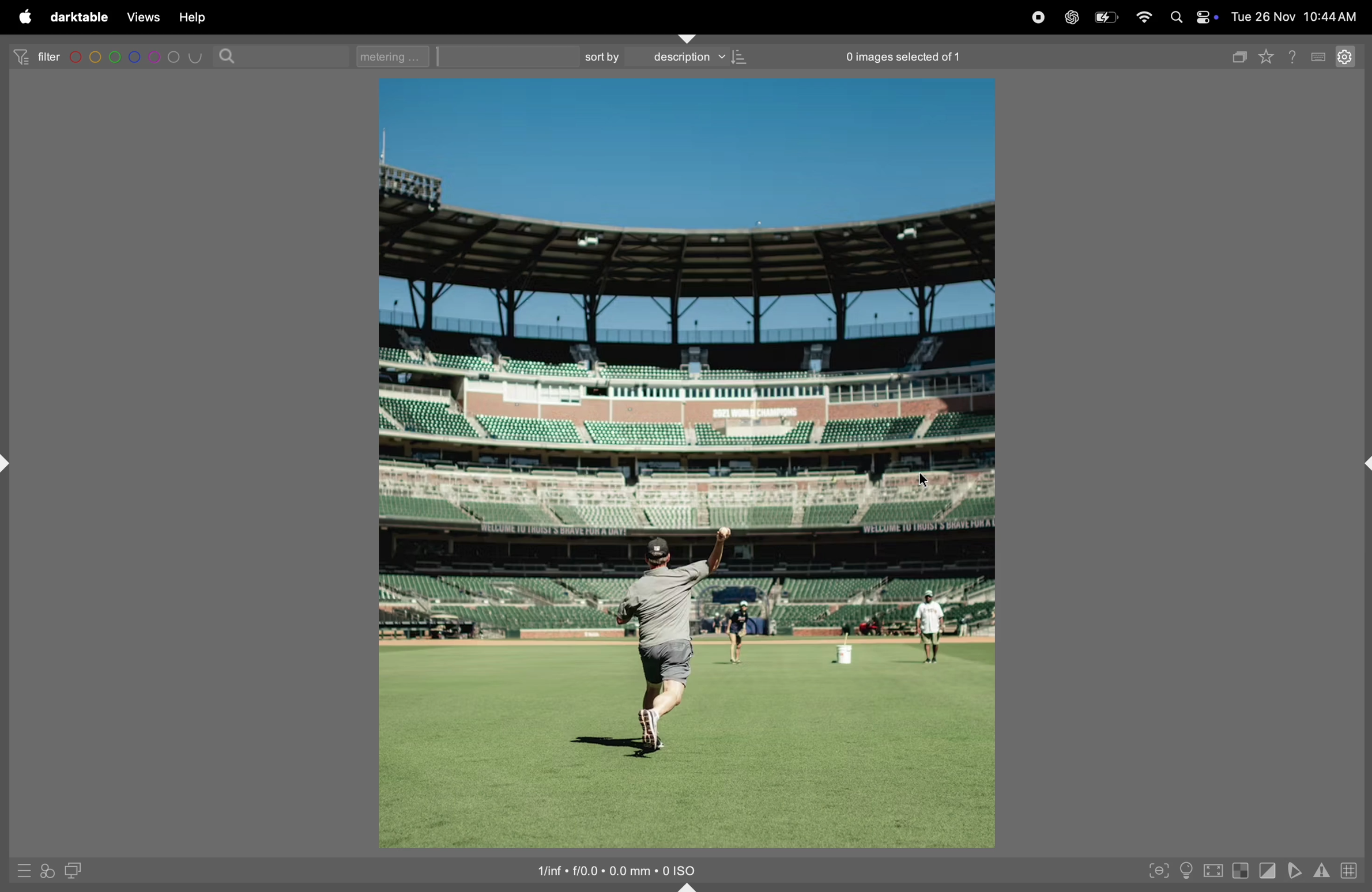 The height and width of the screenshot is (892, 1372). I want to click on indications, so click(1322, 870).